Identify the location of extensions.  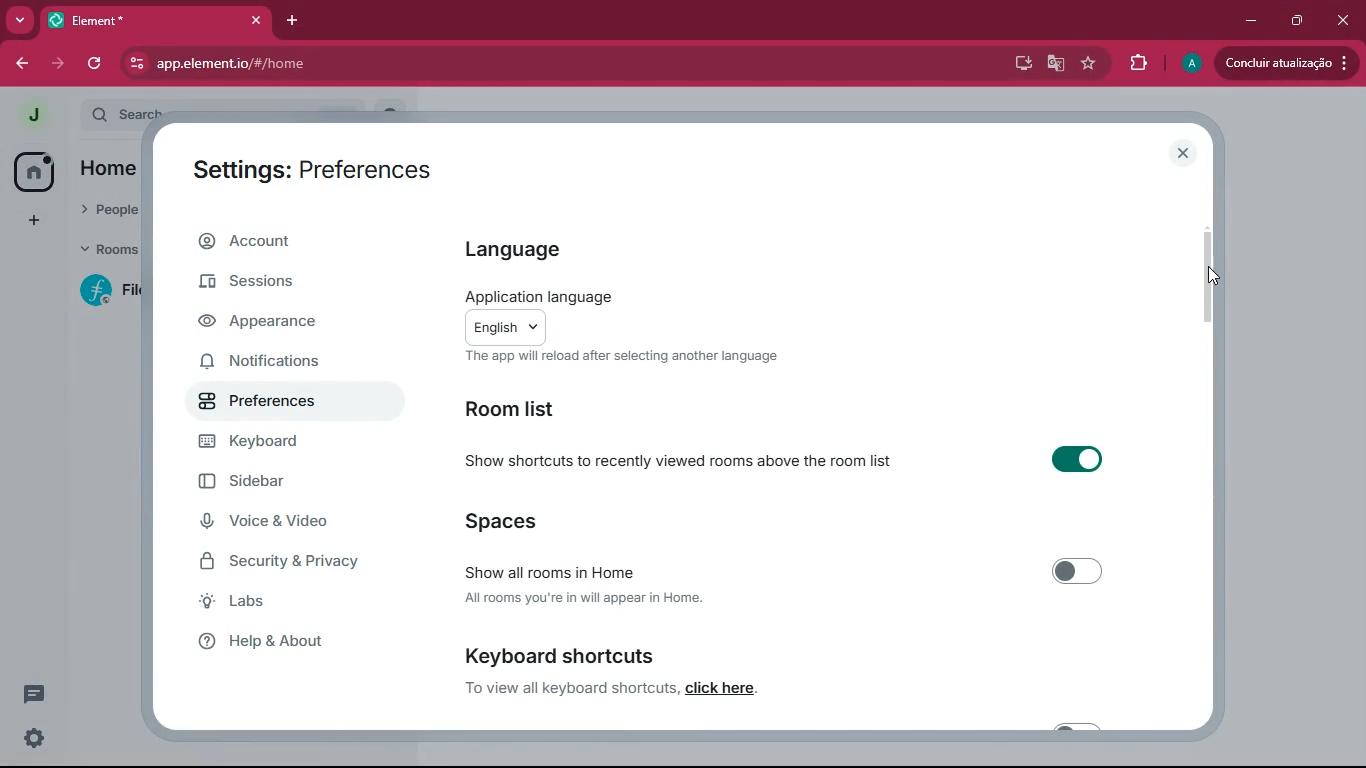
(1137, 64).